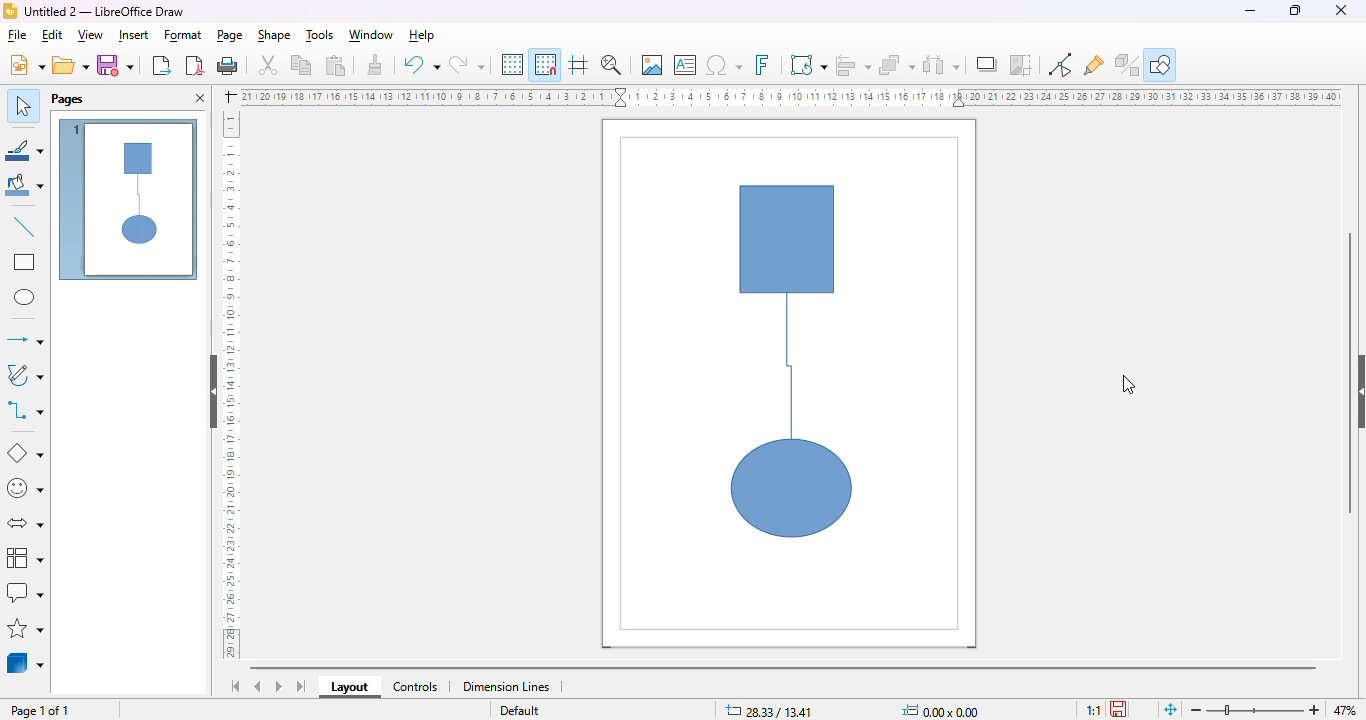 The height and width of the screenshot is (720, 1366). Describe the element at coordinates (71, 64) in the screenshot. I see `open` at that location.